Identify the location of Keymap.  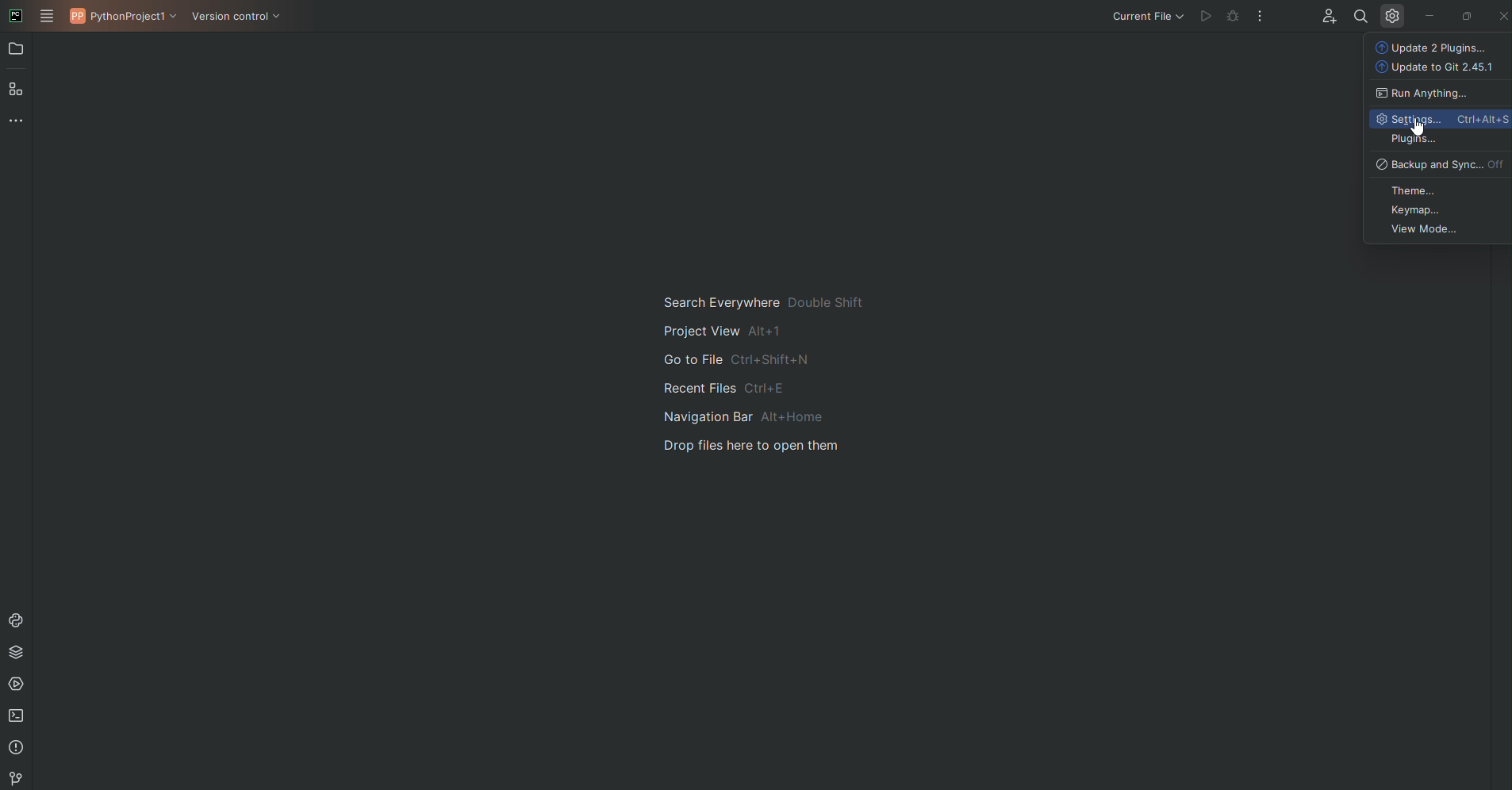
(1406, 212).